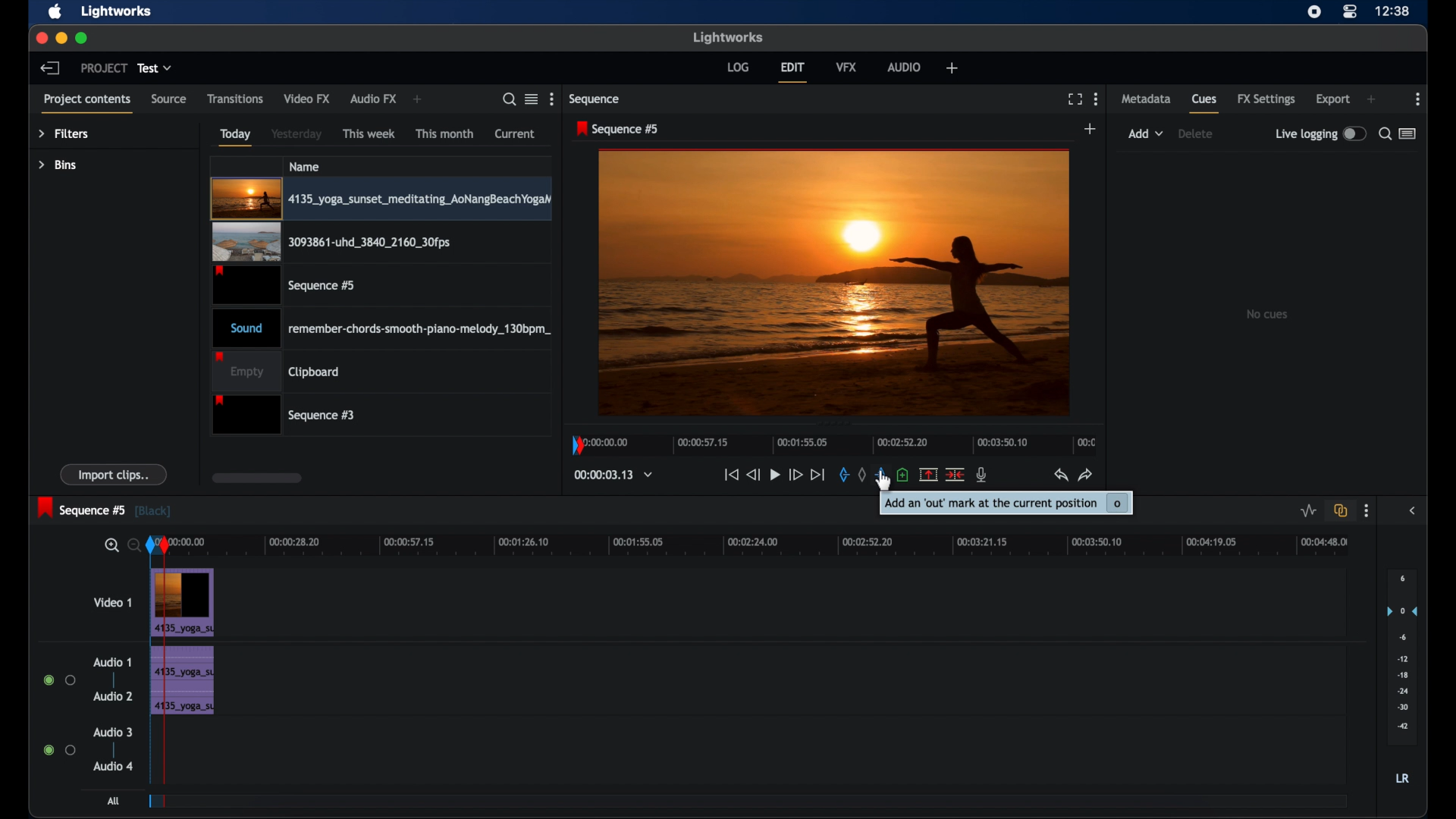 The width and height of the screenshot is (1456, 819). I want to click on filters, so click(63, 134).